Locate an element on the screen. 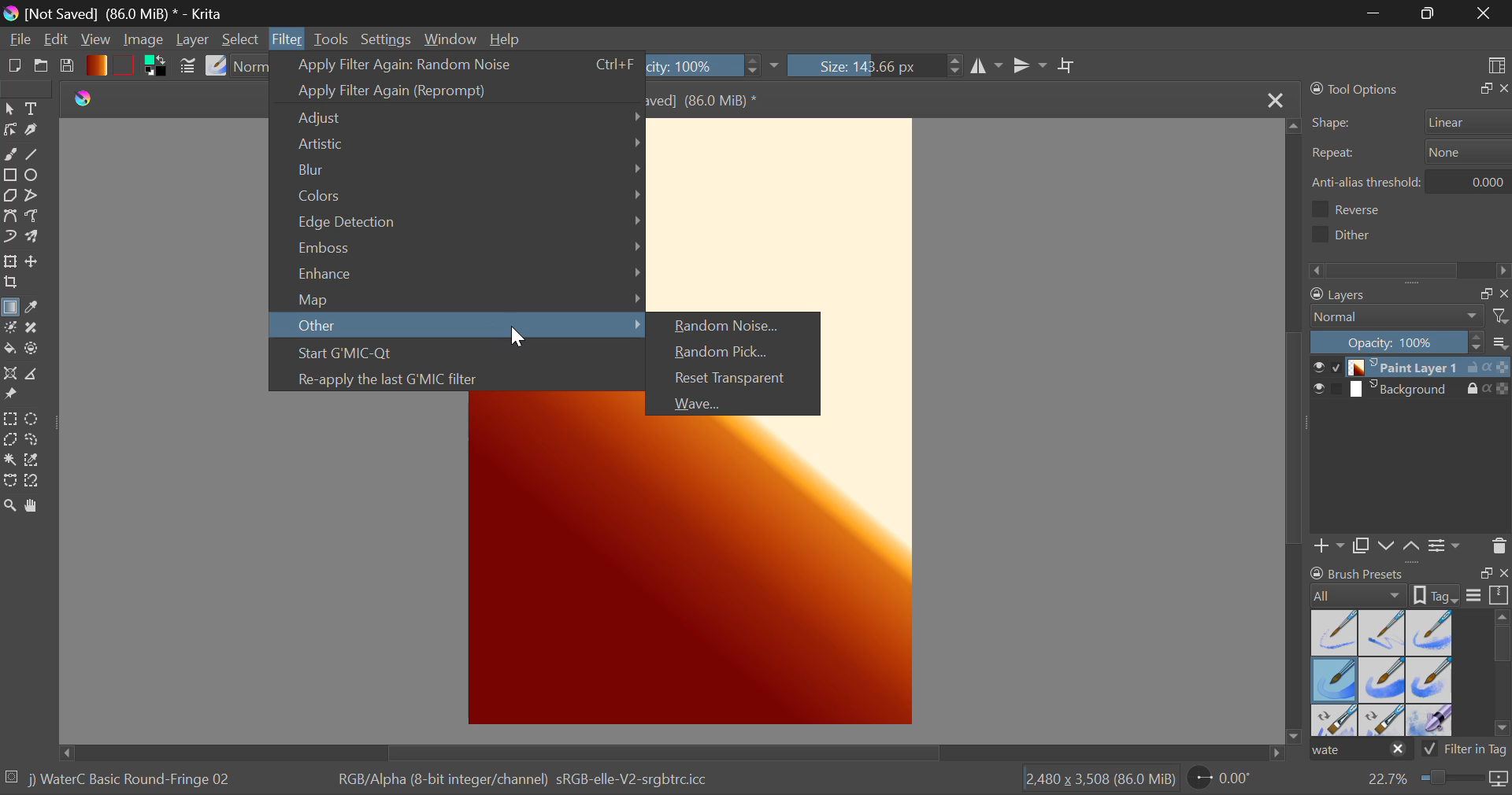 The height and width of the screenshot is (795, 1512). Freehand is located at coordinates (11, 154).